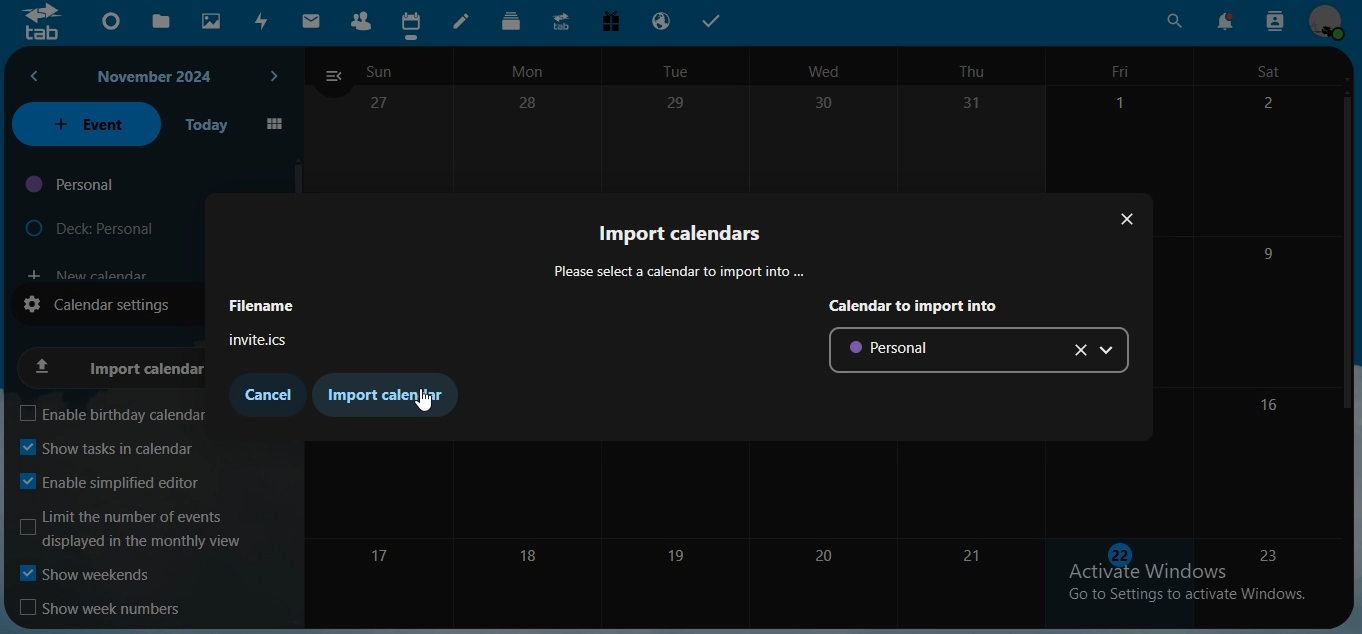 The height and width of the screenshot is (634, 1362). Describe the element at coordinates (119, 414) in the screenshot. I see `enable birthday calendar` at that location.